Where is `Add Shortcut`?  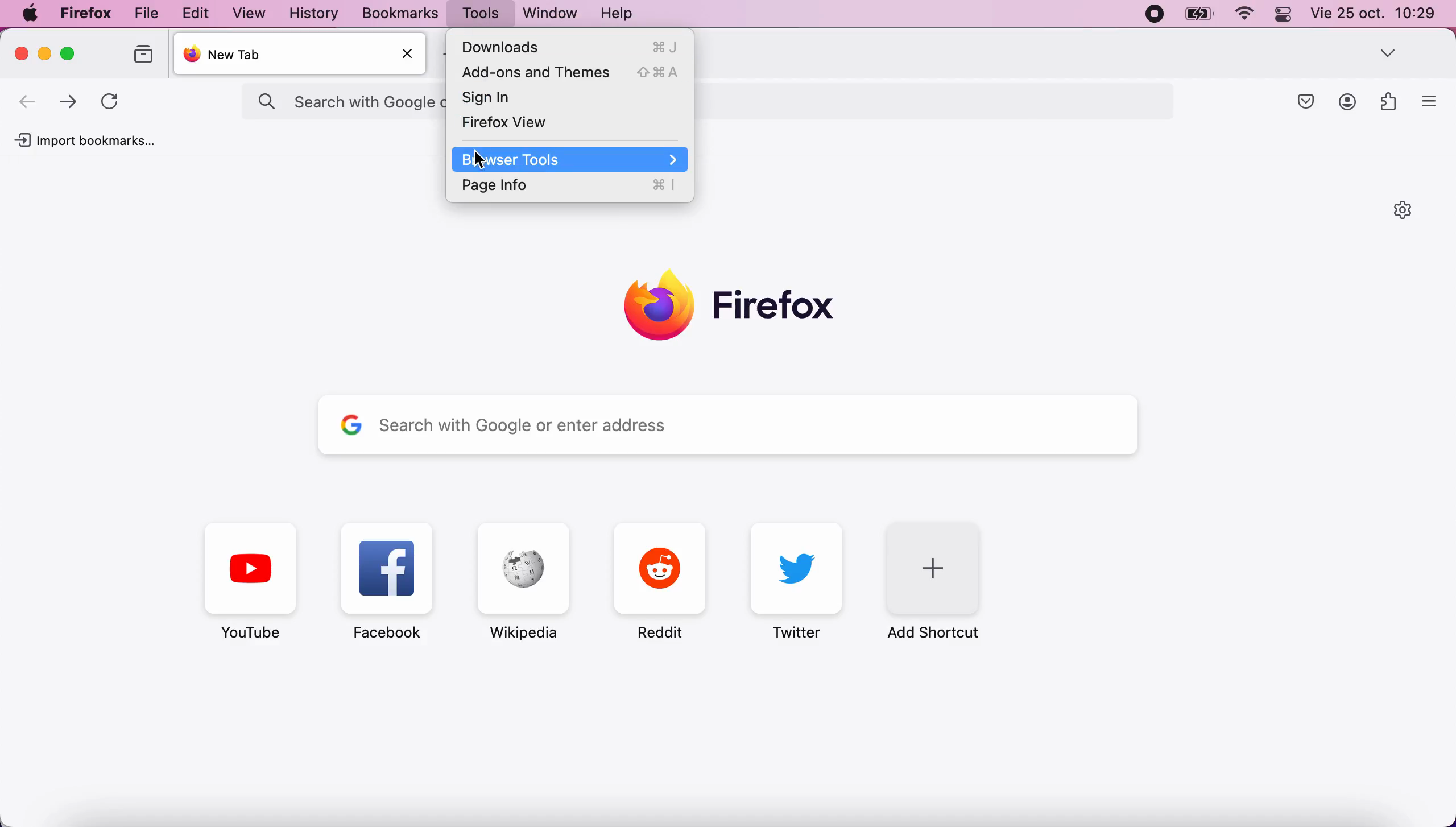 Add Shortcut is located at coordinates (941, 581).